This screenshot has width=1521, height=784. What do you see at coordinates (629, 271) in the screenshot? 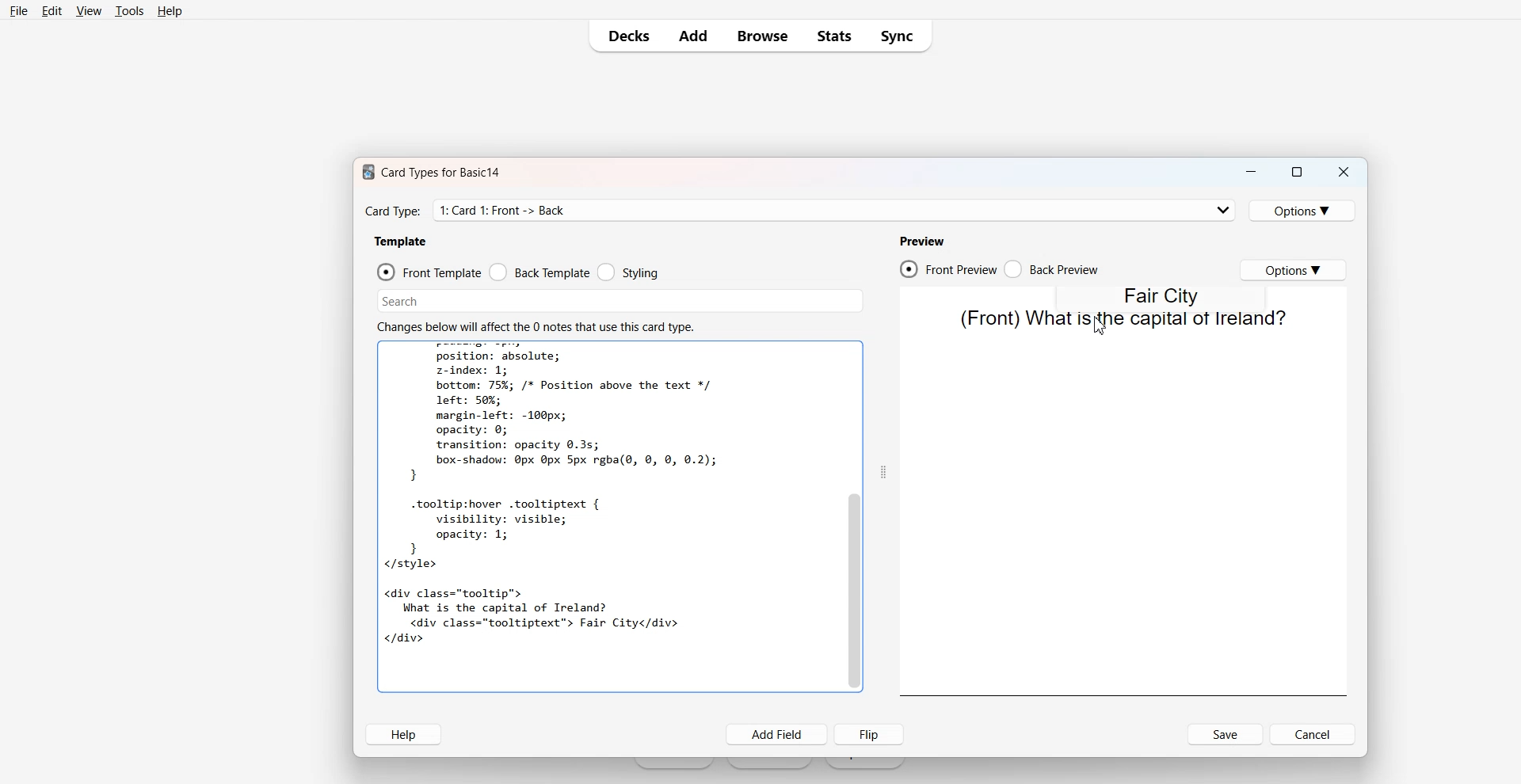
I see `Styling` at bounding box center [629, 271].